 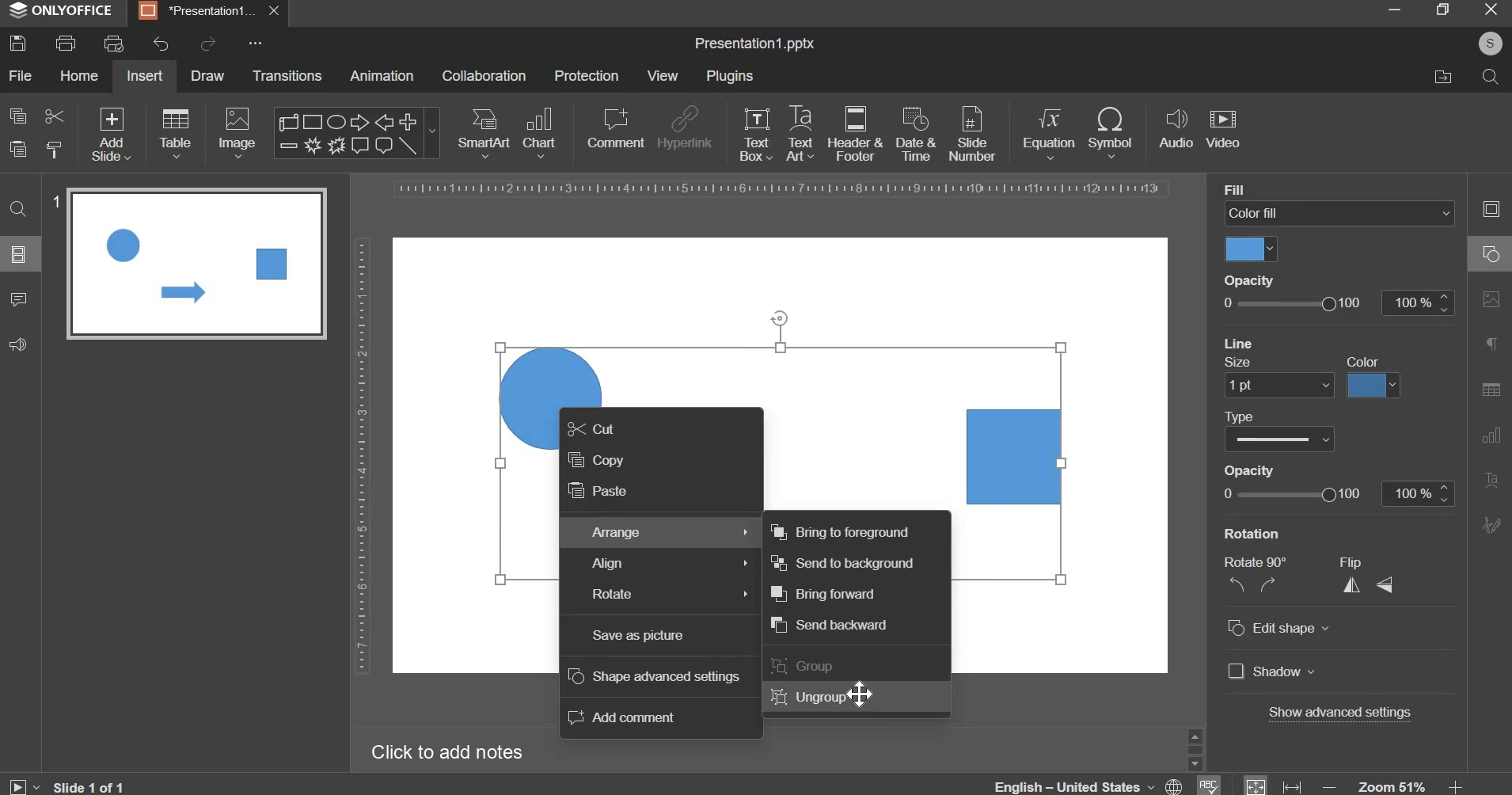 What do you see at coordinates (25, 784) in the screenshot?
I see `slide show` at bounding box center [25, 784].